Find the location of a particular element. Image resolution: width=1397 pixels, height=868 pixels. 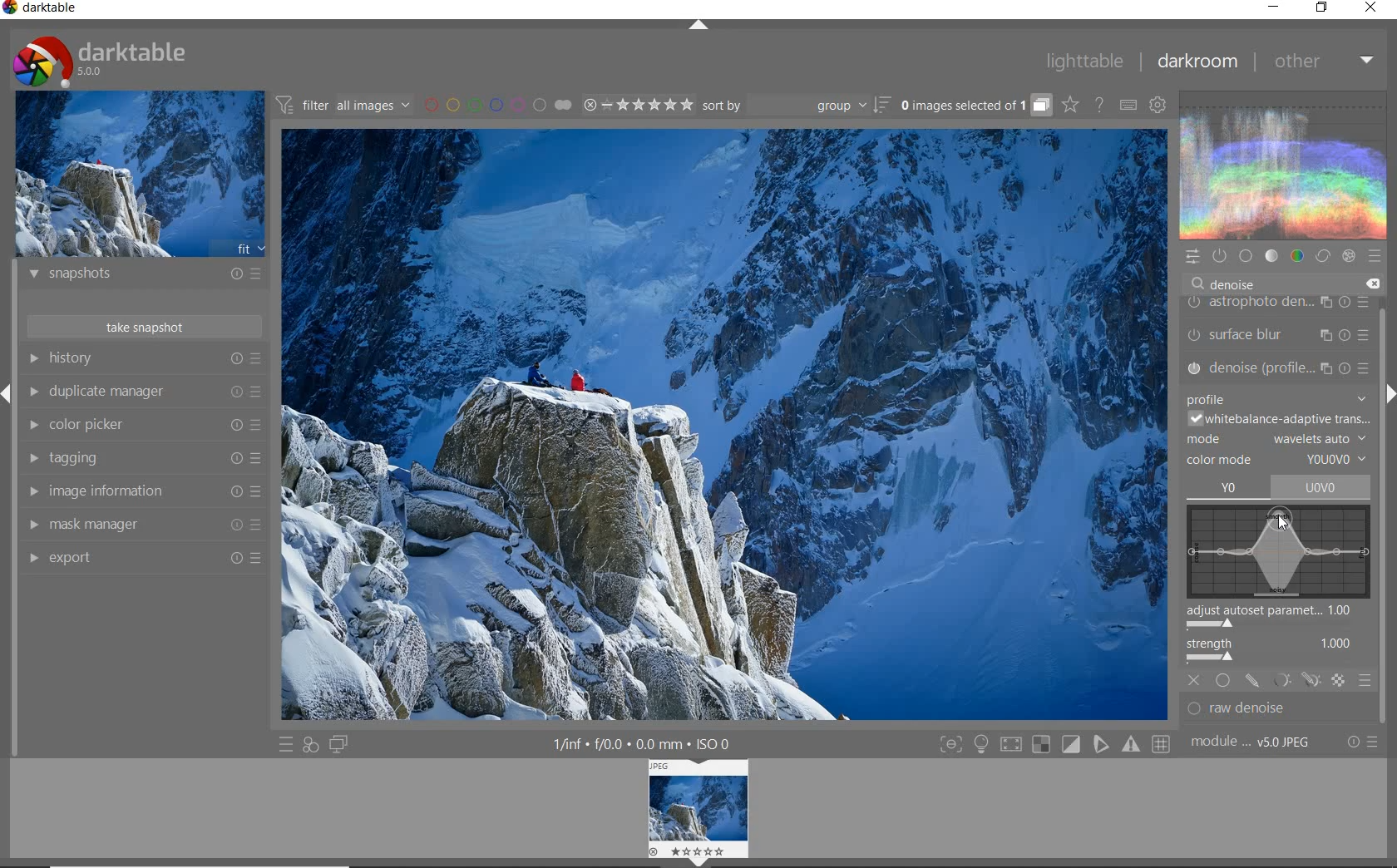

effect is located at coordinates (1348, 256).